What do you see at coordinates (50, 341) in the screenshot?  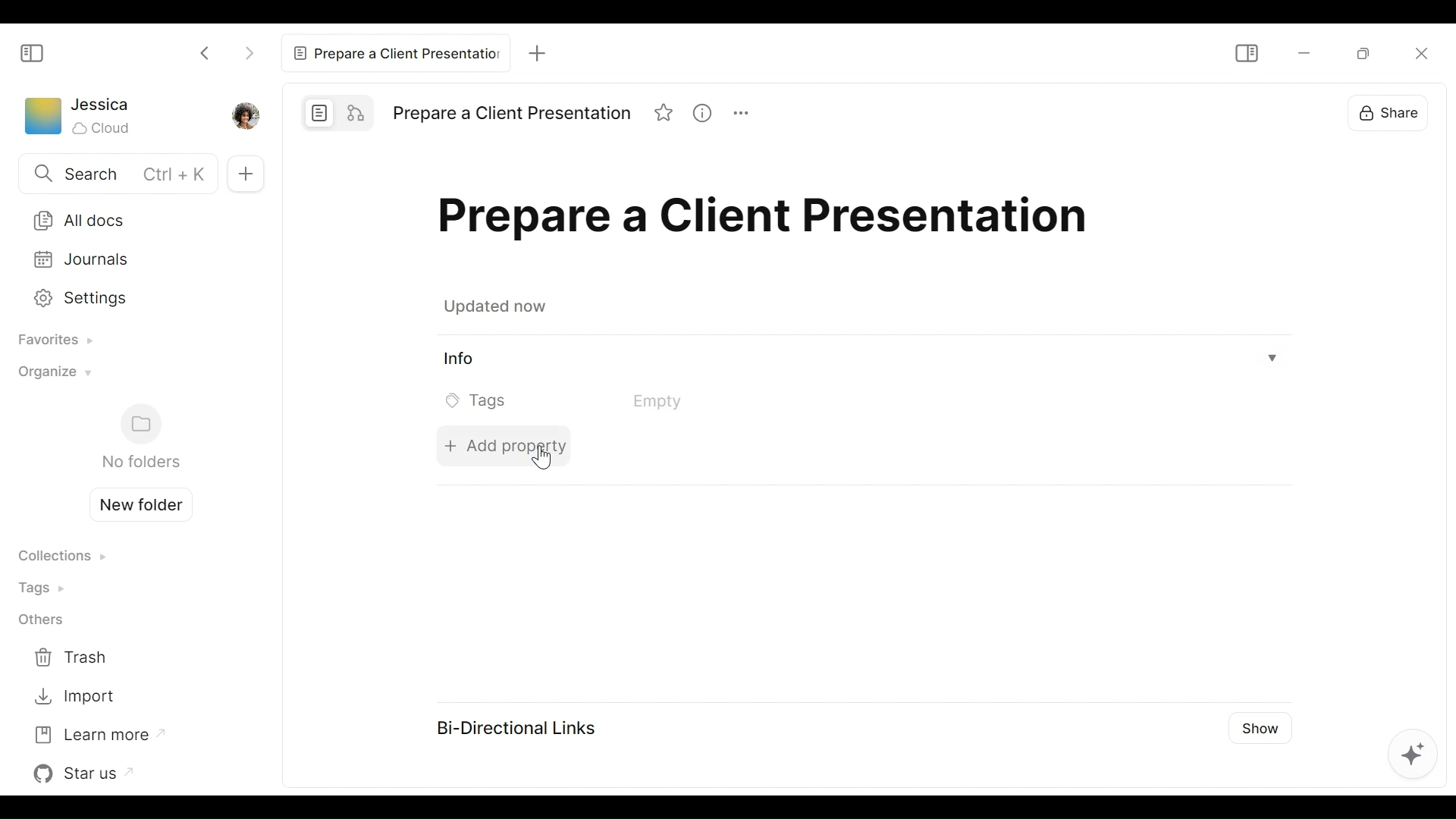 I see `Favorites` at bounding box center [50, 341].